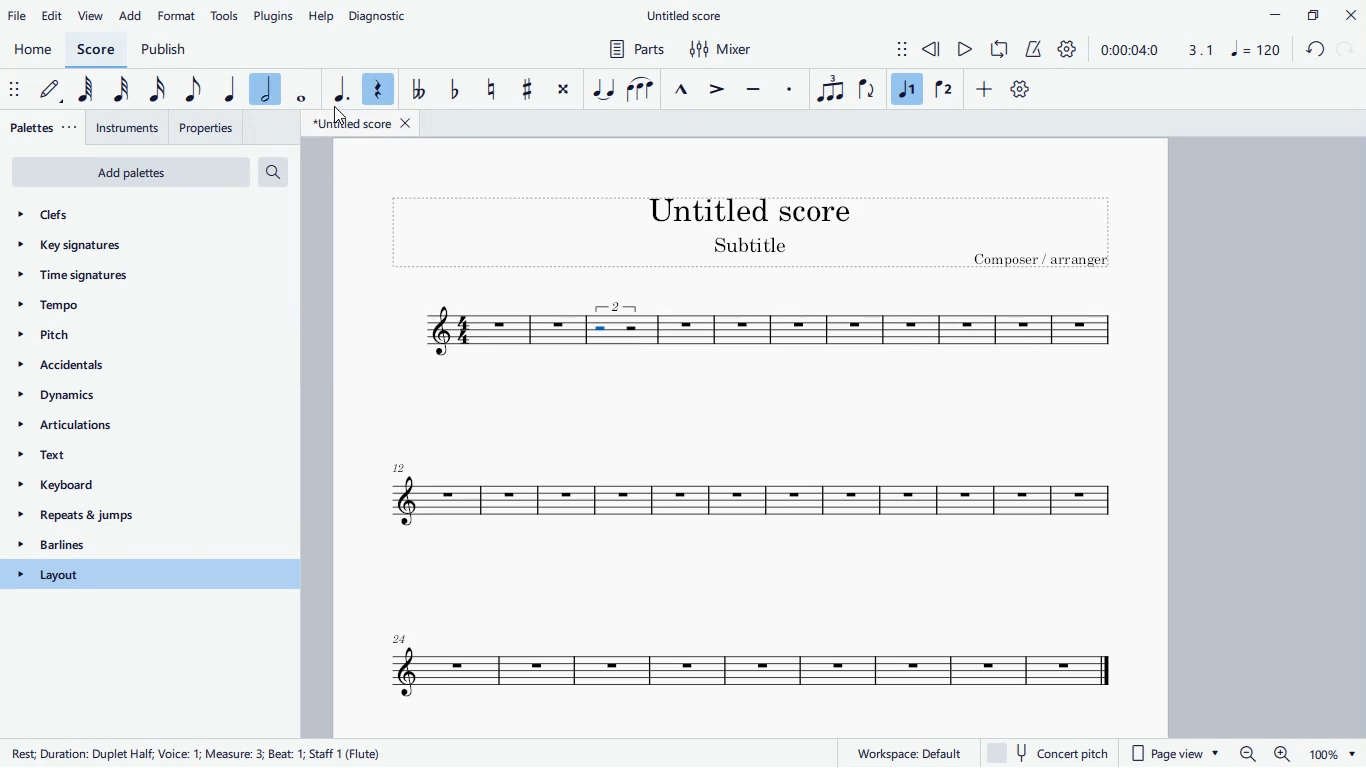 The image size is (1366, 768). Describe the element at coordinates (338, 89) in the screenshot. I see `augmentation dot` at that location.